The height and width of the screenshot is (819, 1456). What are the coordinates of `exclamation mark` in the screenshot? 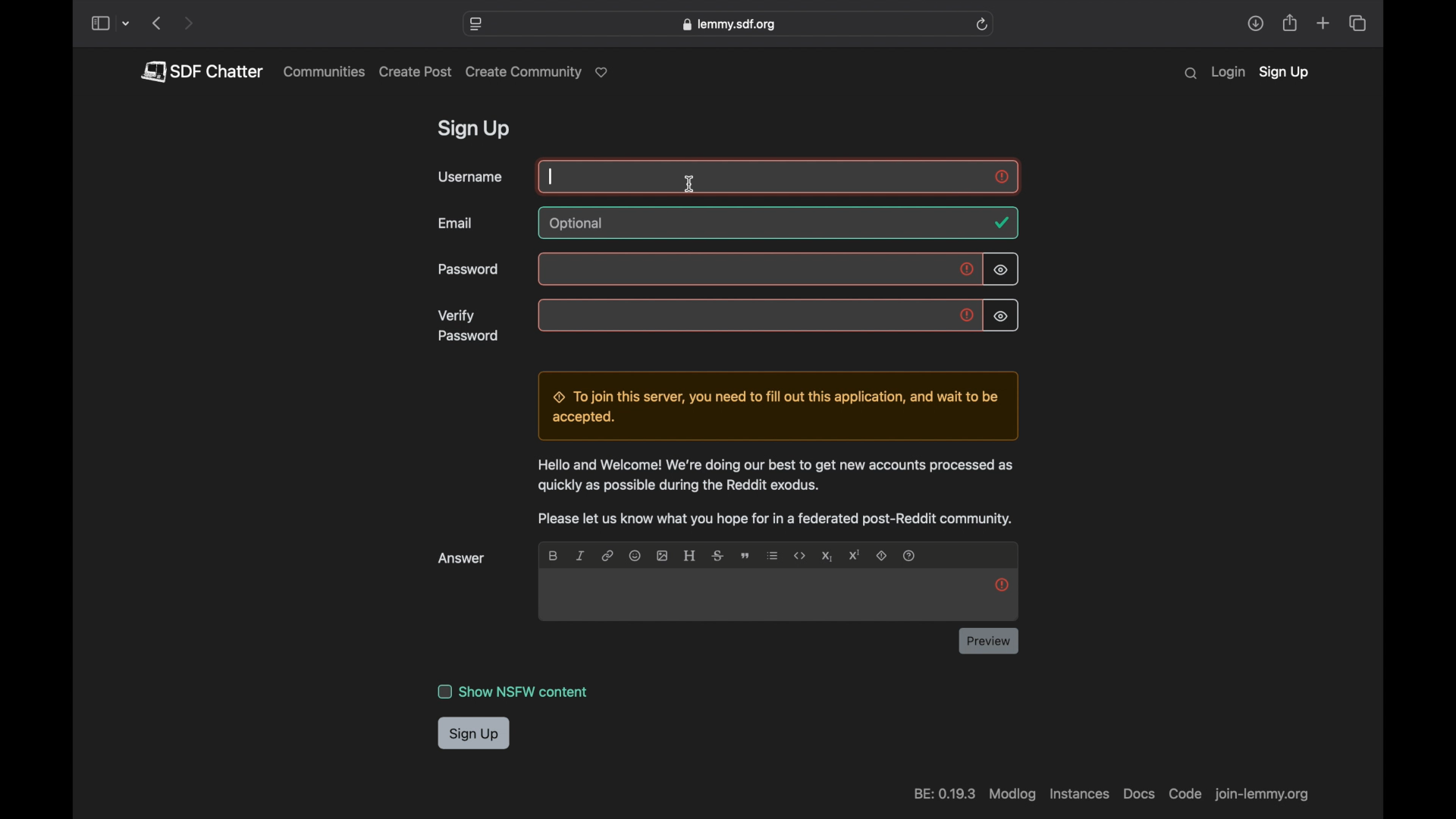 It's located at (1002, 177).